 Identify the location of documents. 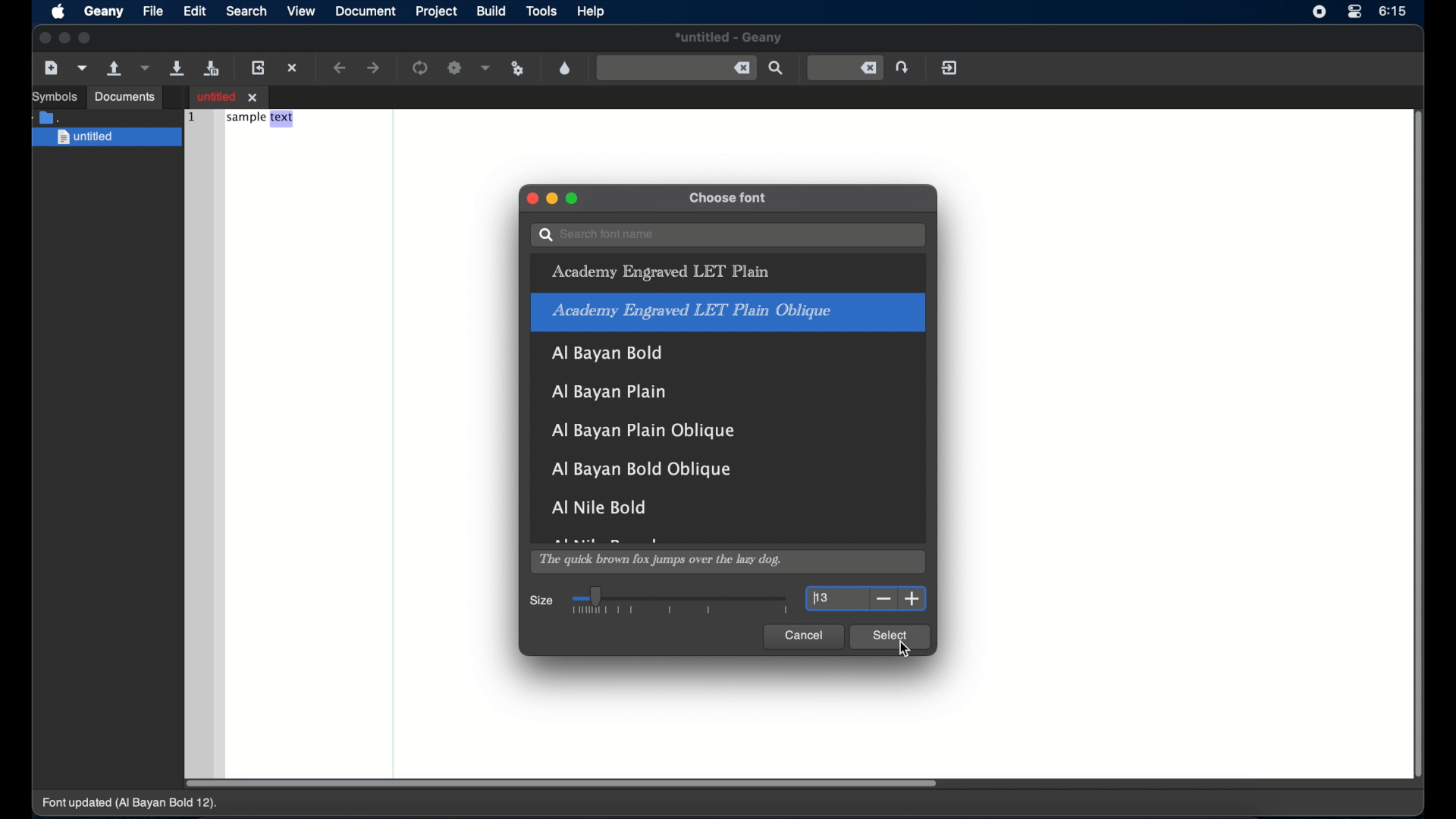
(126, 97).